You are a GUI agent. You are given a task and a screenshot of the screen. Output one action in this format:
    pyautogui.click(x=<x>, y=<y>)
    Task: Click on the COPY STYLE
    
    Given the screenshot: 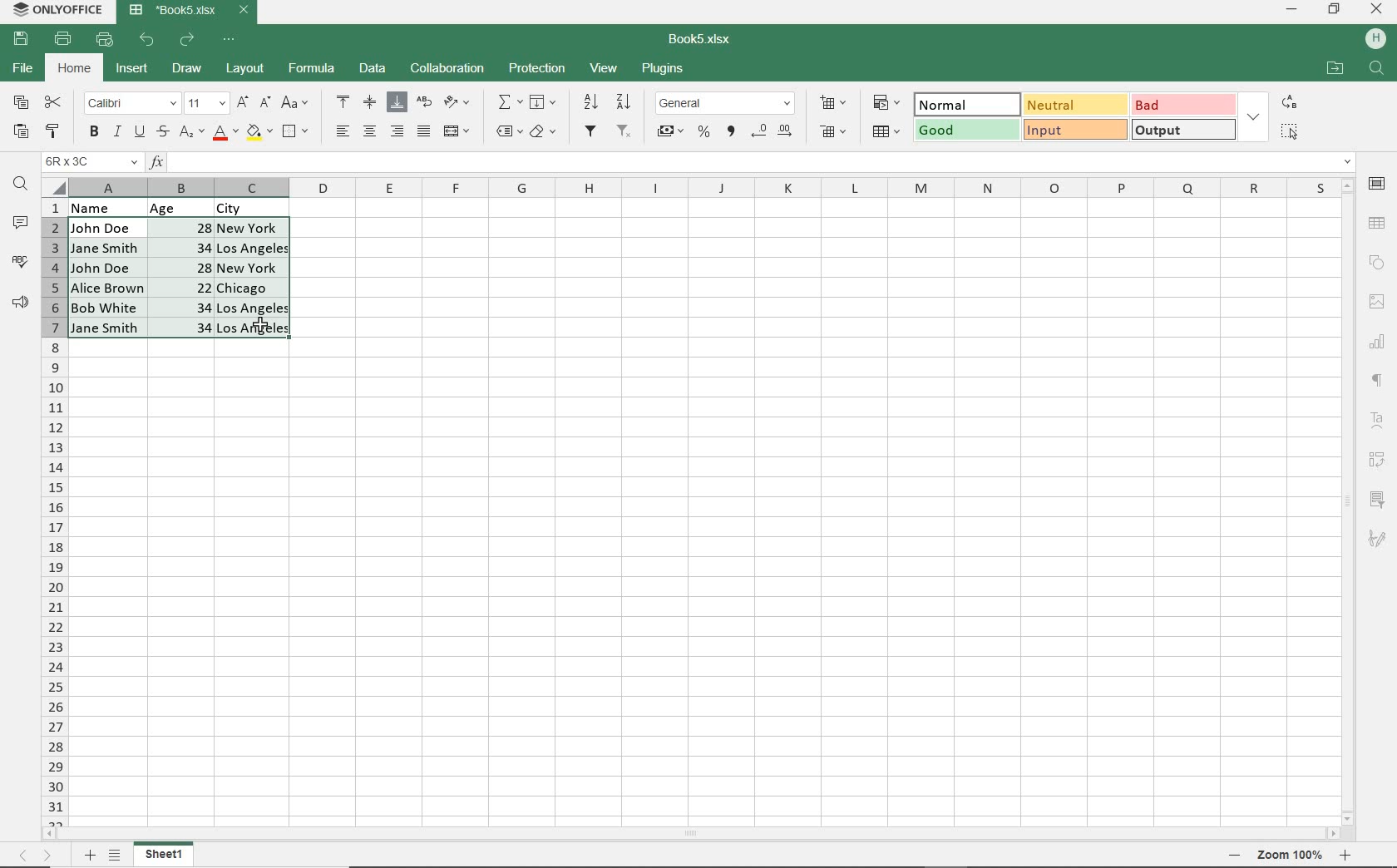 What is the action you would take?
    pyautogui.click(x=53, y=129)
    